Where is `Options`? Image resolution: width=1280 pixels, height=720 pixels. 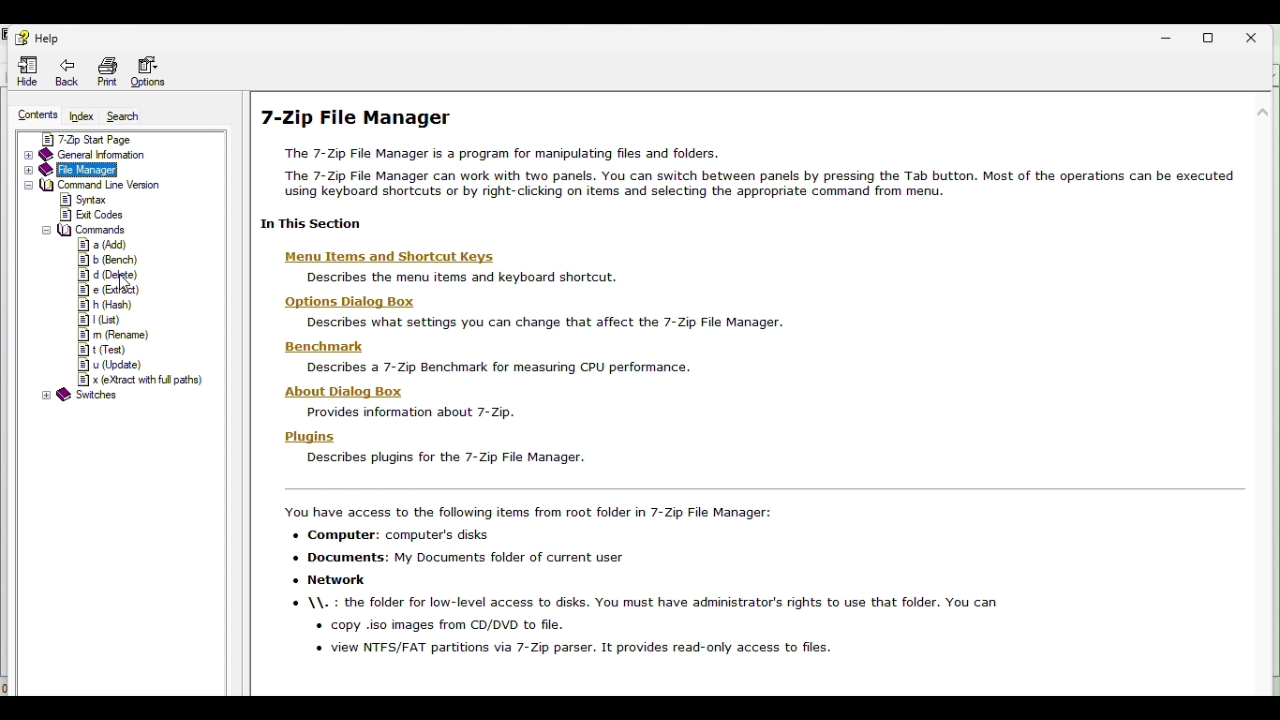 Options is located at coordinates (153, 73).